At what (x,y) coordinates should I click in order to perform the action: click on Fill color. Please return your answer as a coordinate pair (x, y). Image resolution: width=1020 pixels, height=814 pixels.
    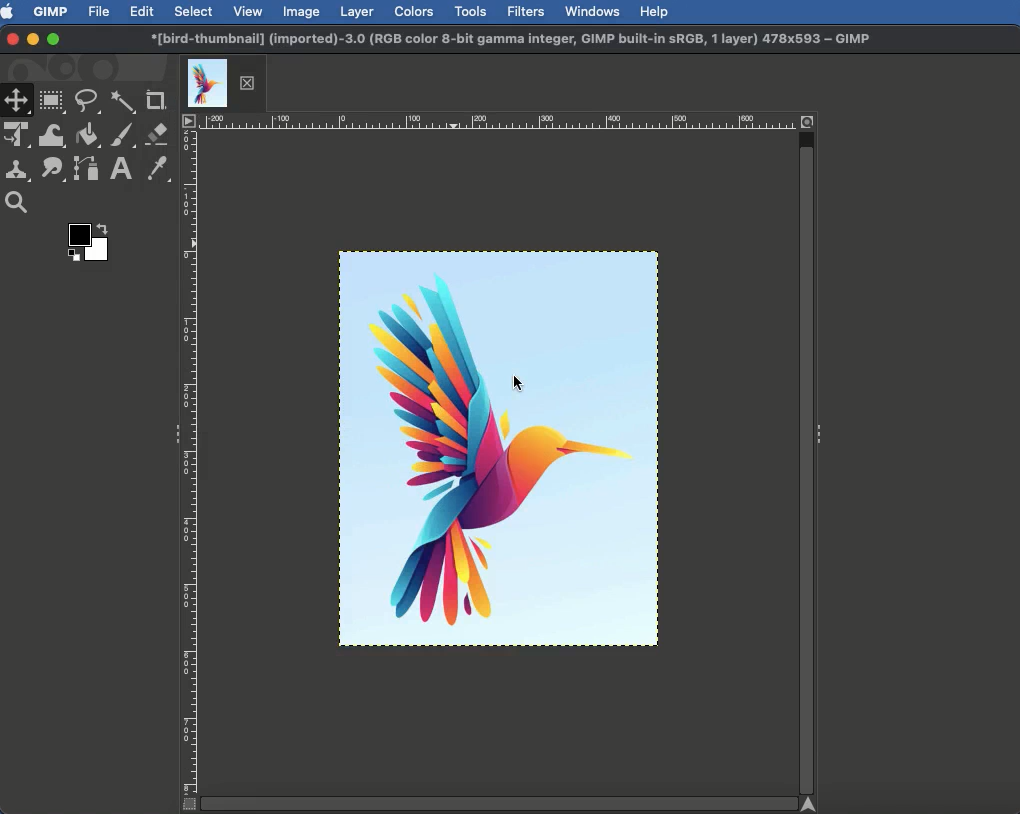
    Looking at the image, I should click on (89, 136).